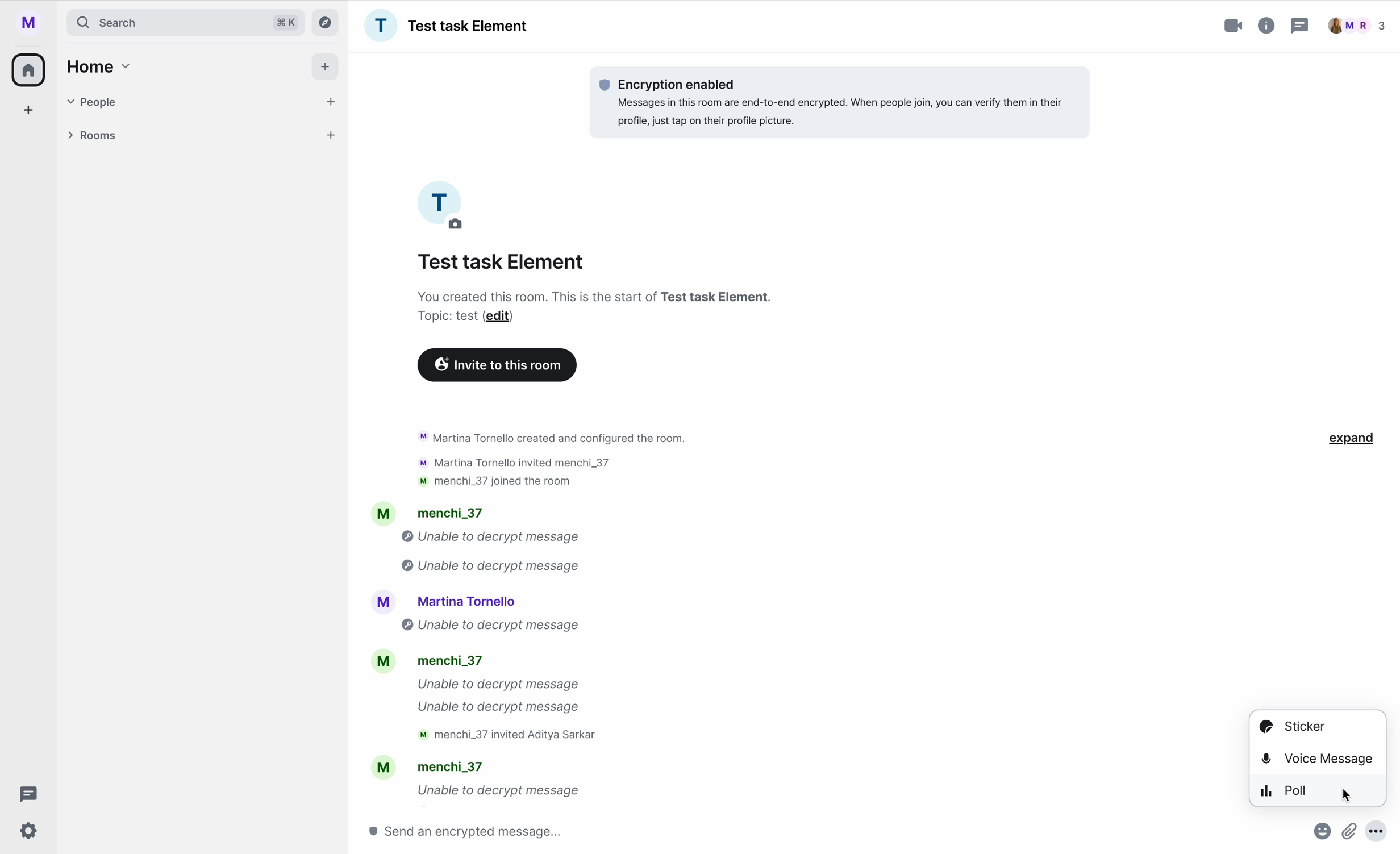  What do you see at coordinates (475, 781) in the screenshot?
I see `mM mencni_s/
Unable to decrypt message` at bounding box center [475, 781].